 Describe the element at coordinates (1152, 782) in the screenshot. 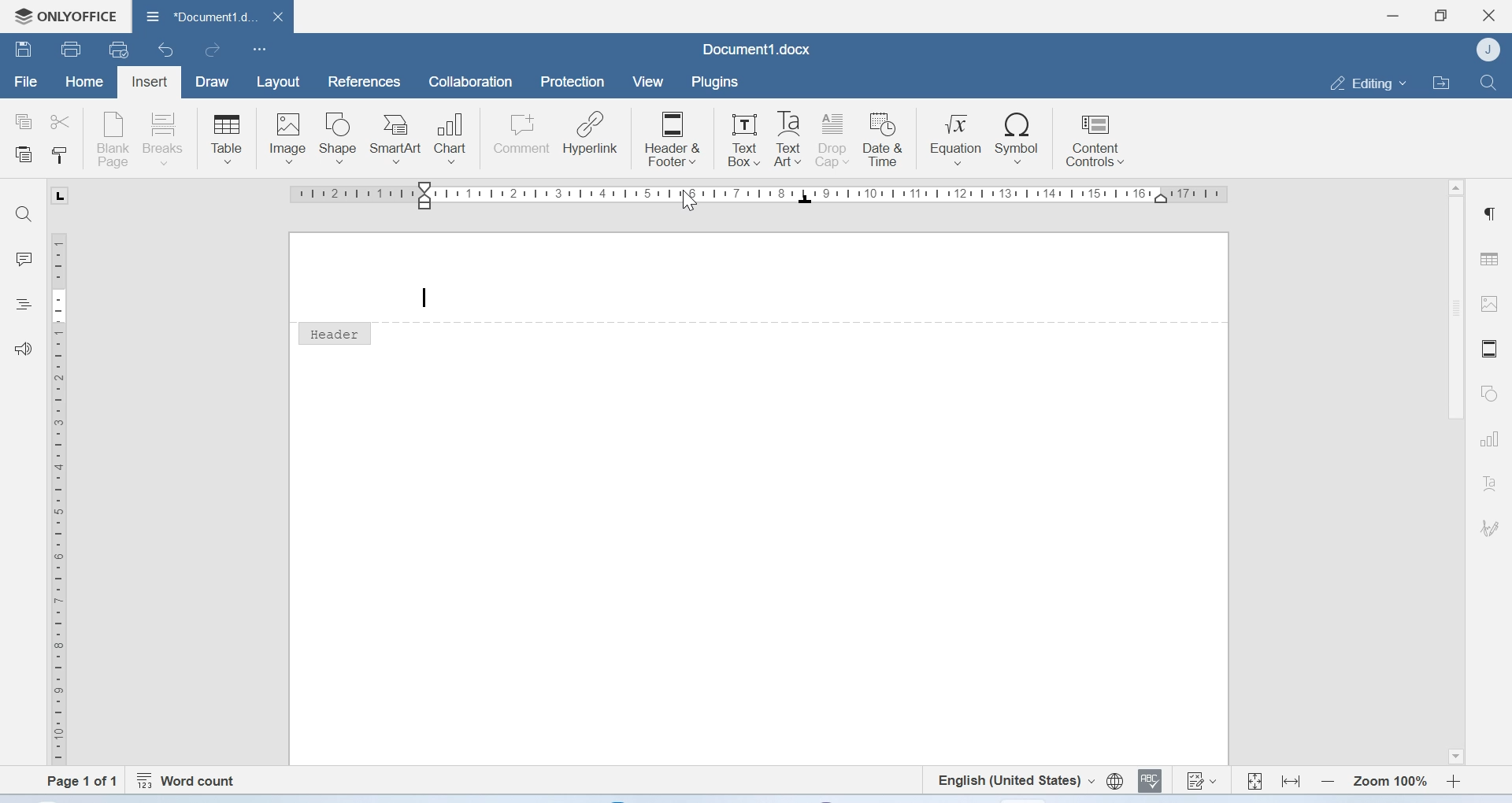

I see `Spell checking` at that location.